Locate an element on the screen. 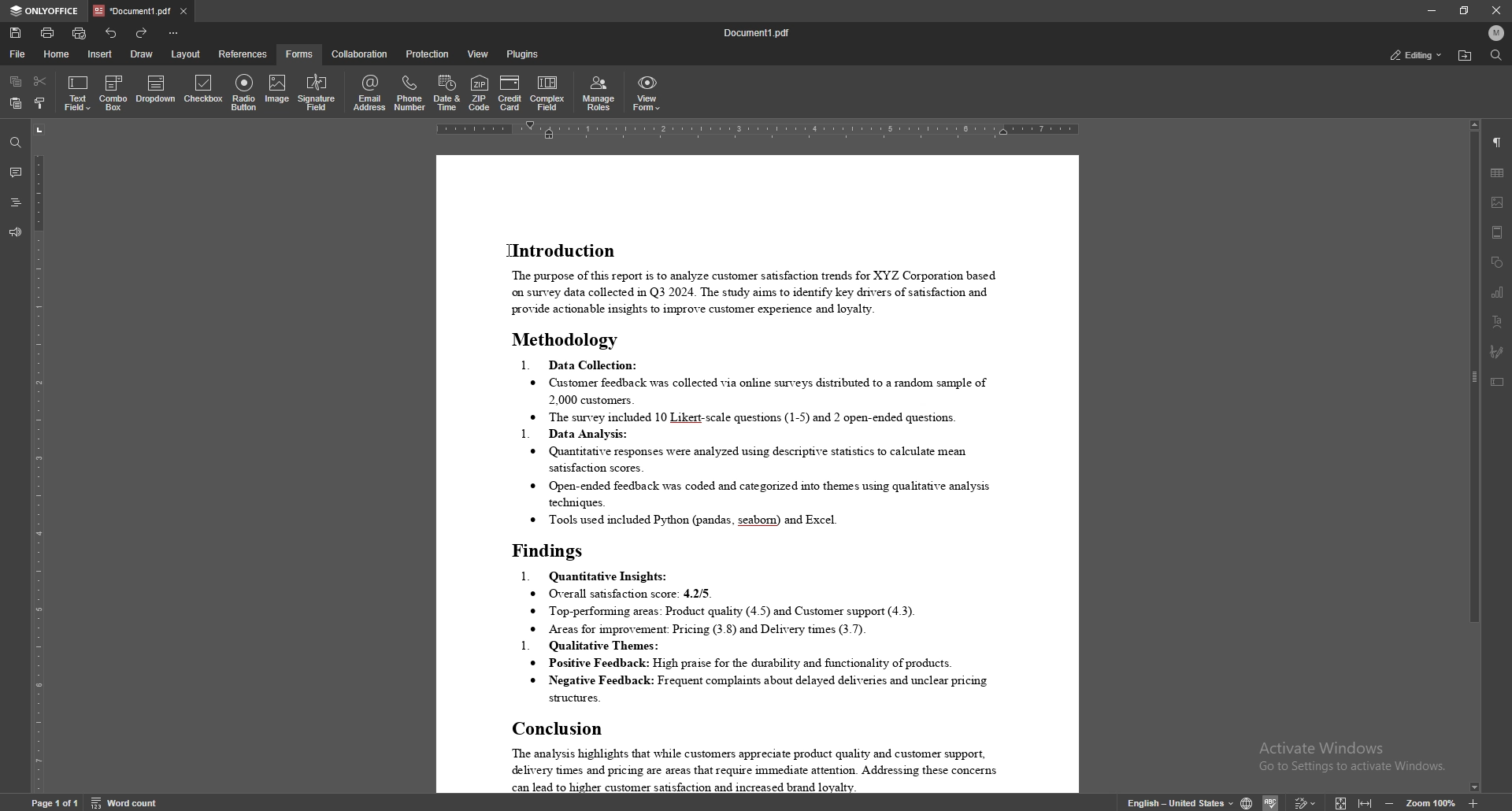  phone number is located at coordinates (409, 93).